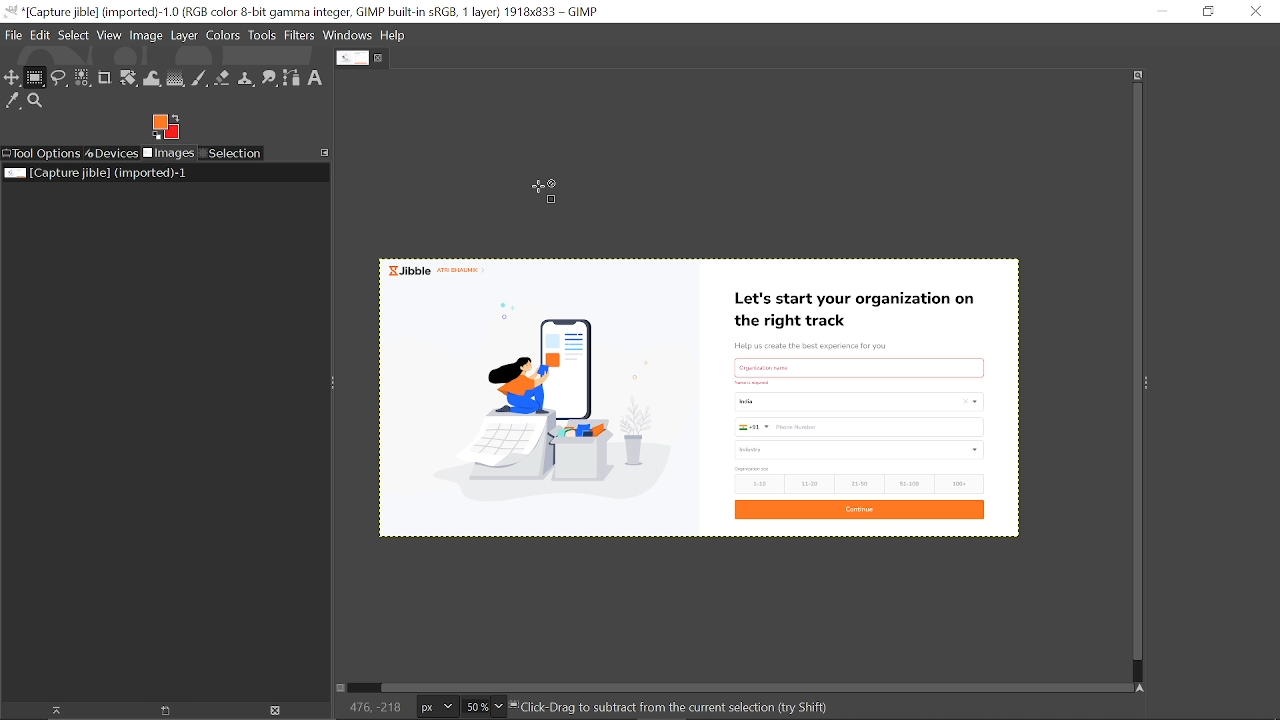  What do you see at coordinates (1138, 75) in the screenshot?
I see `Zoom when window size changes` at bounding box center [1138, 75].